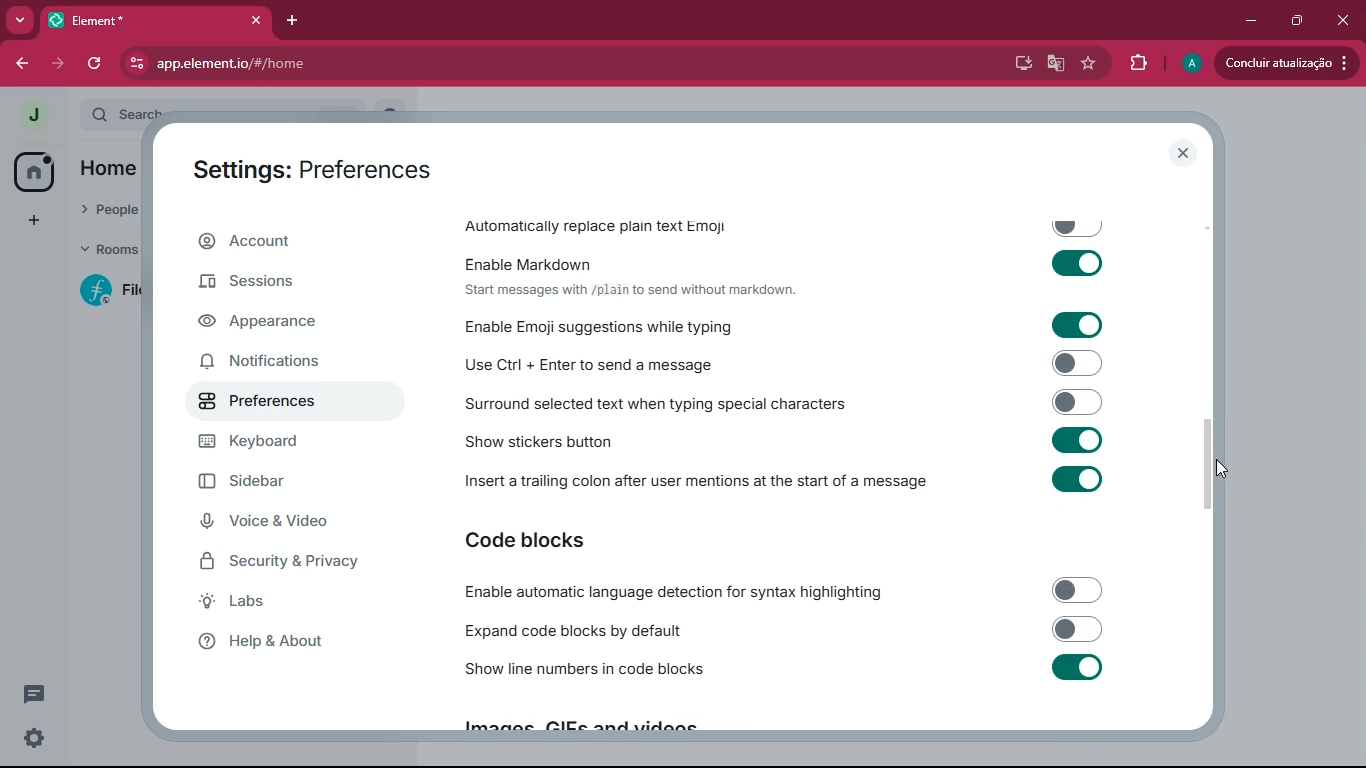 The height and width of the screenshot is (768, 1366). I want to click on element, so click(155, 18).